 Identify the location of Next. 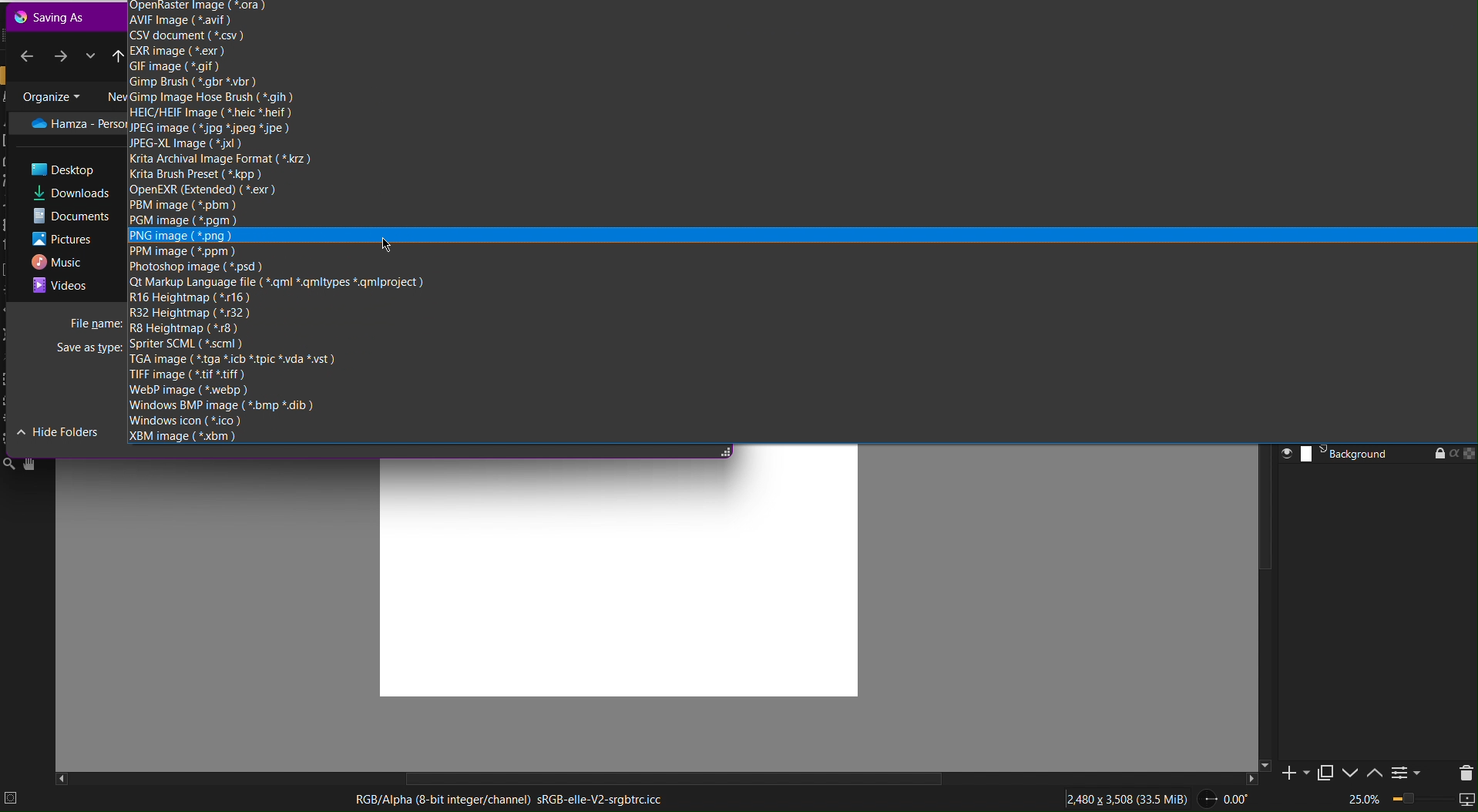
(62, 55).